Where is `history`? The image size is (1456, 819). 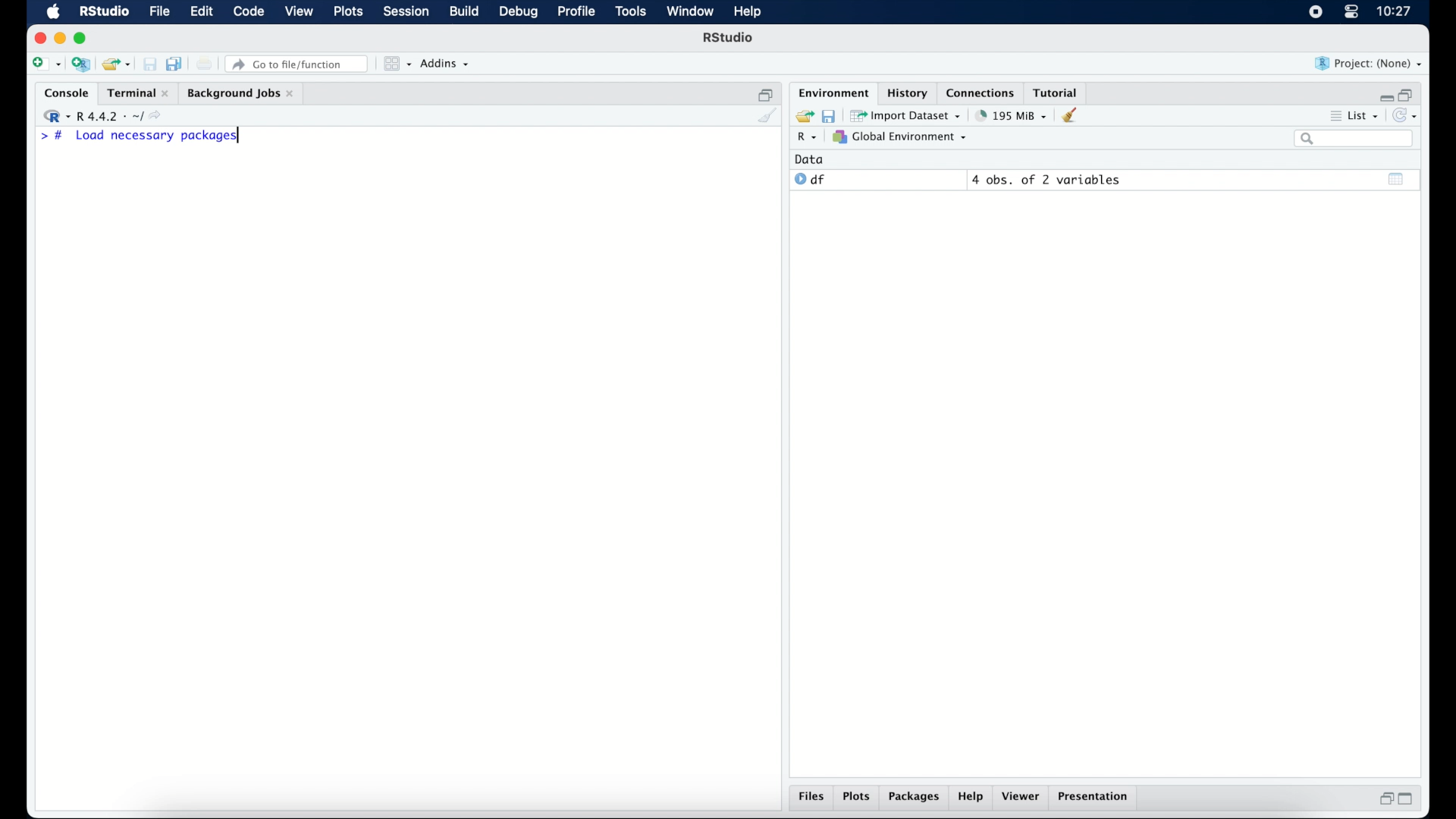
history is located at coordinates (906, 92).